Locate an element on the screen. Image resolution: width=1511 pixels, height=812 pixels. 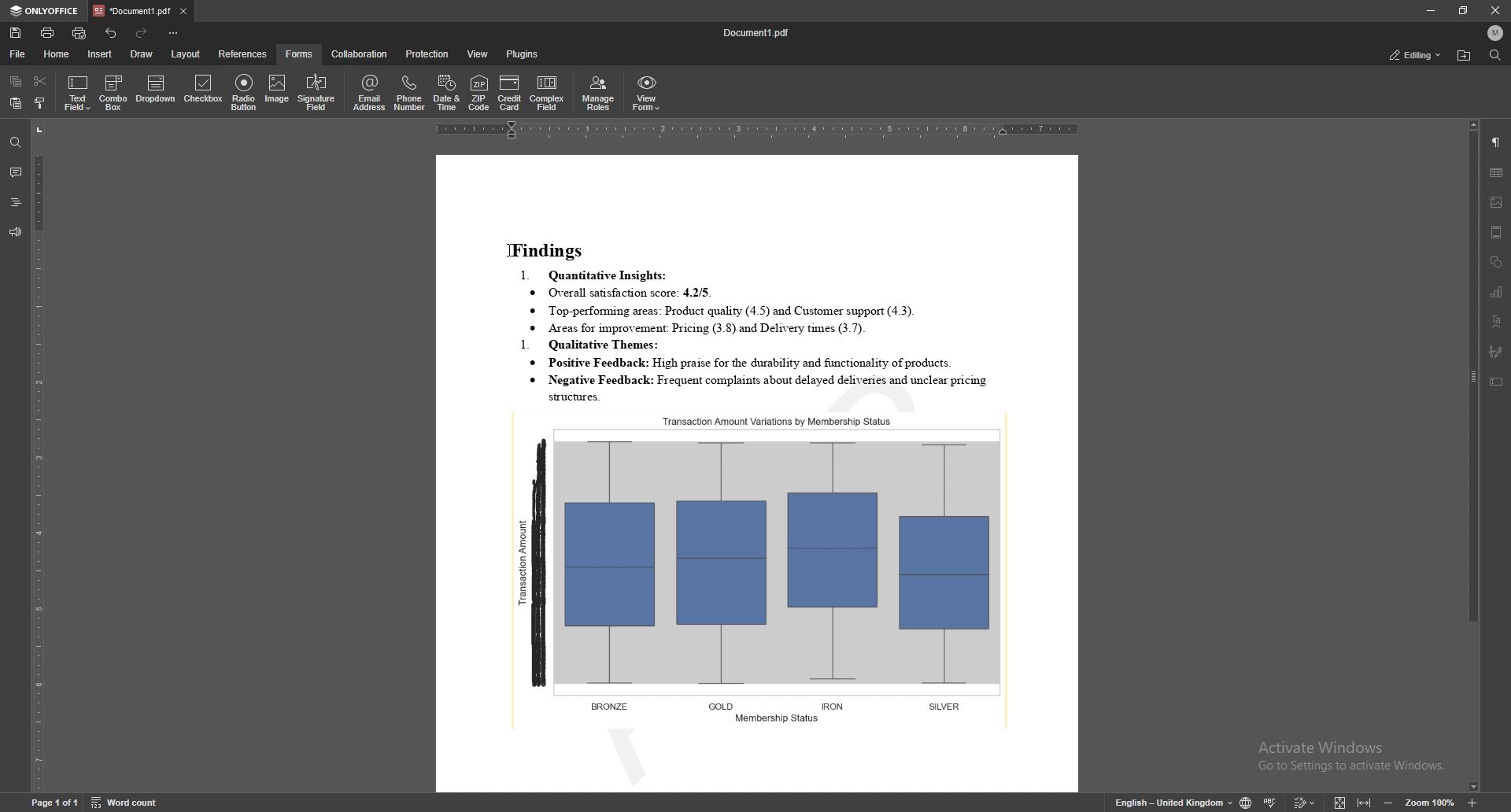
undo is located at coordinates (111, 34).